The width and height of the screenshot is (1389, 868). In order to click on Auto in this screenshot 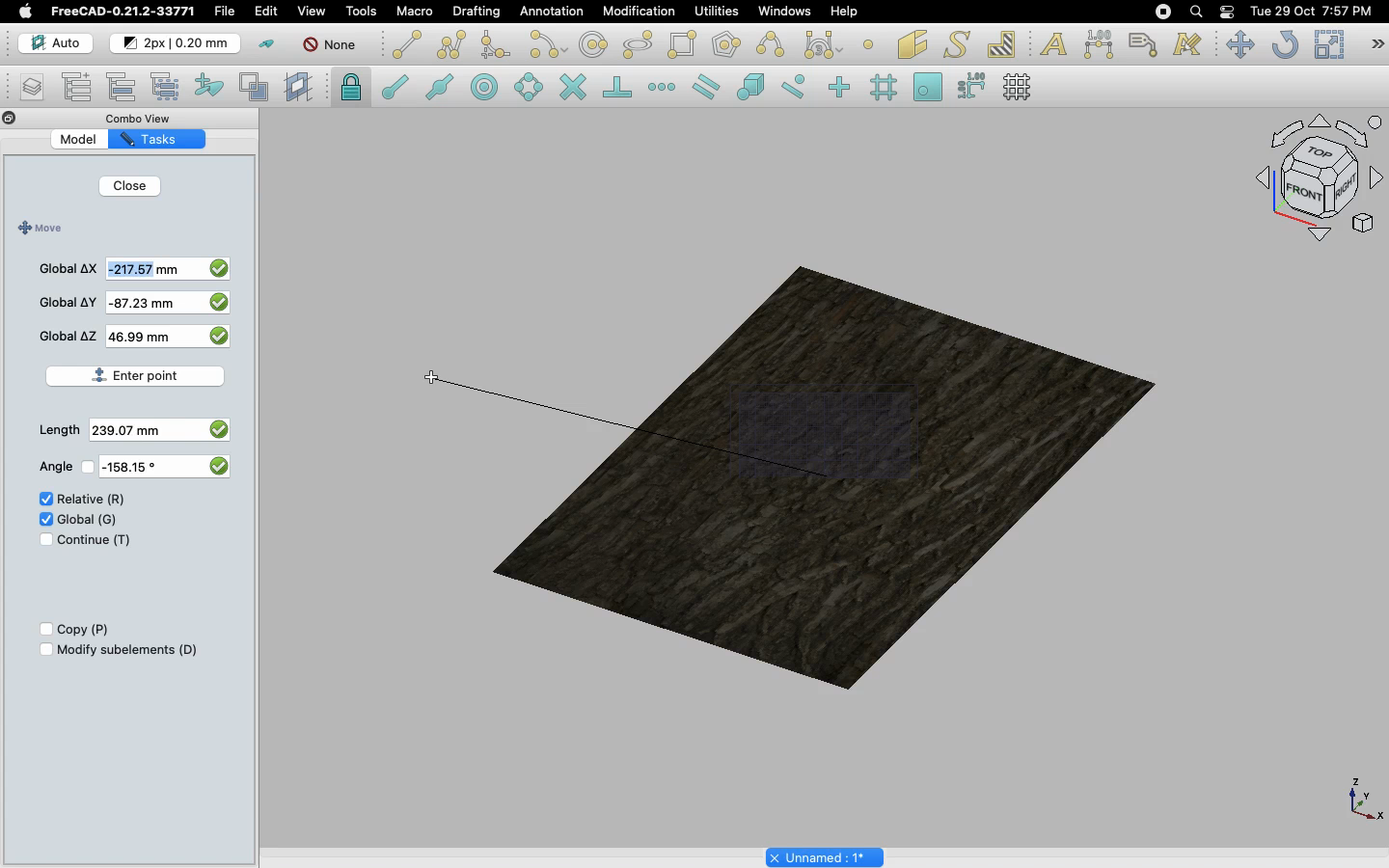, I will do `click(57, 43)`.